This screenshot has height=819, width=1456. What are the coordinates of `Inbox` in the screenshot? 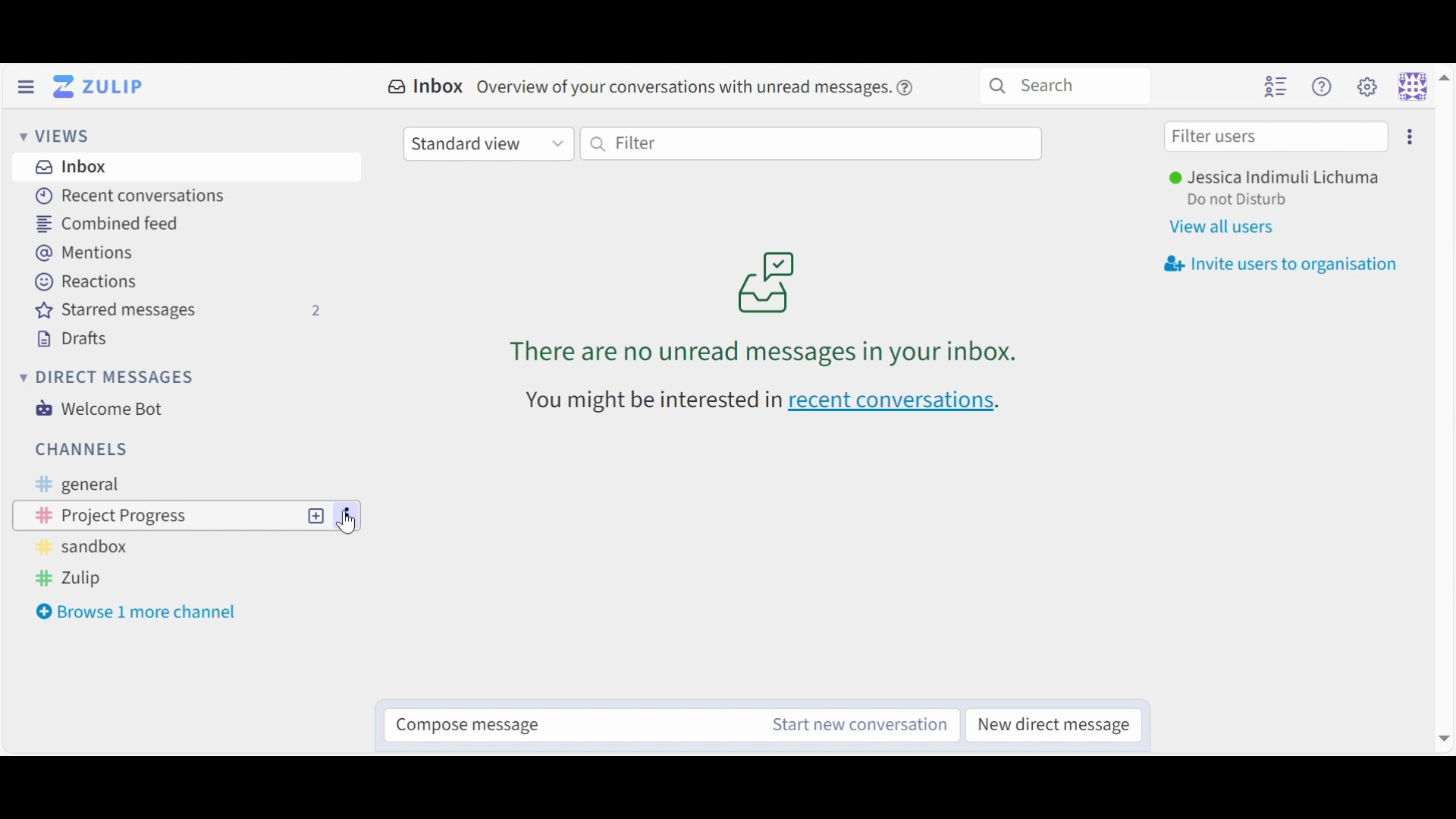 It's located at (71, 168).